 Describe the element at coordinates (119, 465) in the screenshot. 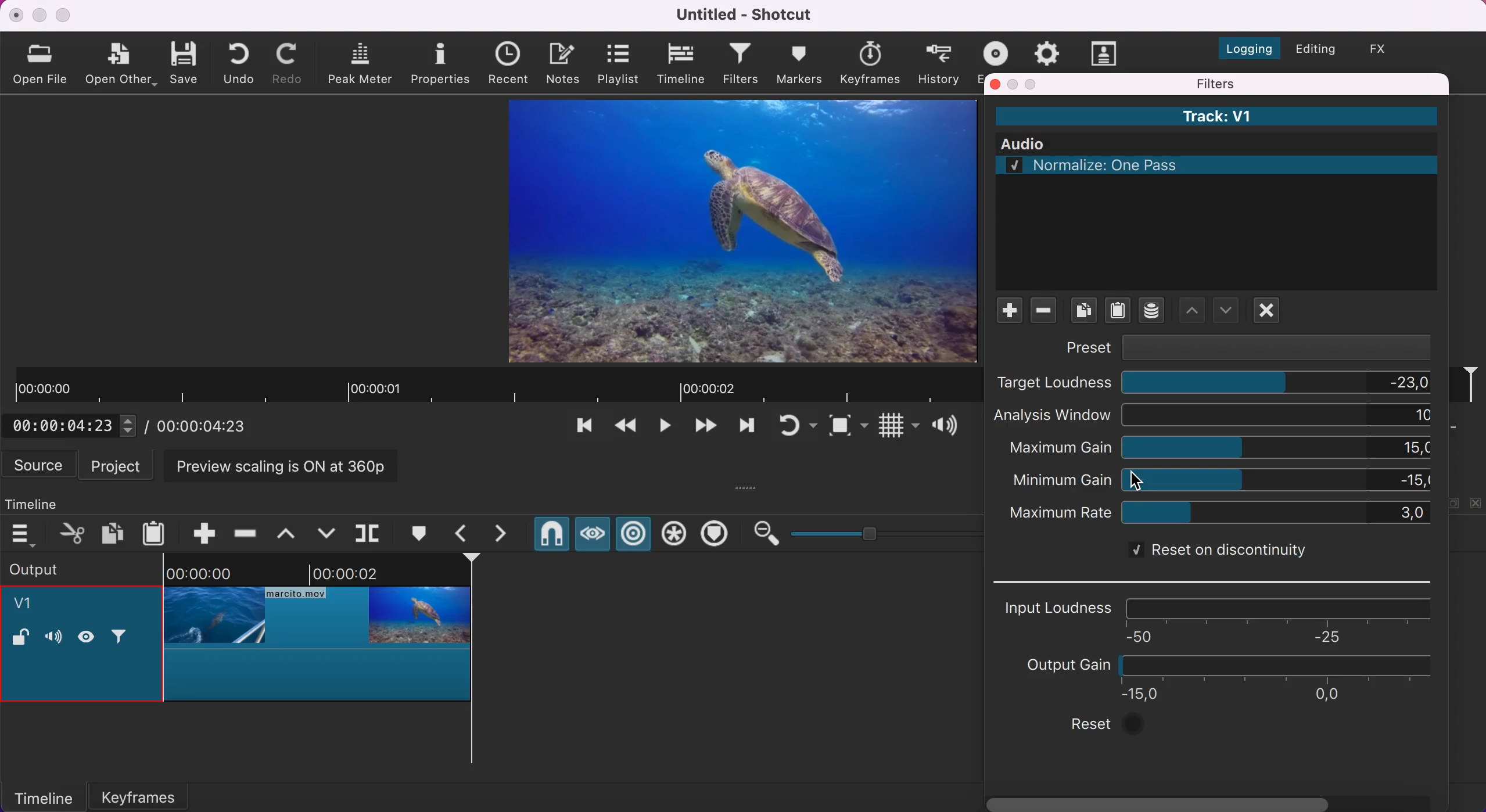

I see `project` at that location.